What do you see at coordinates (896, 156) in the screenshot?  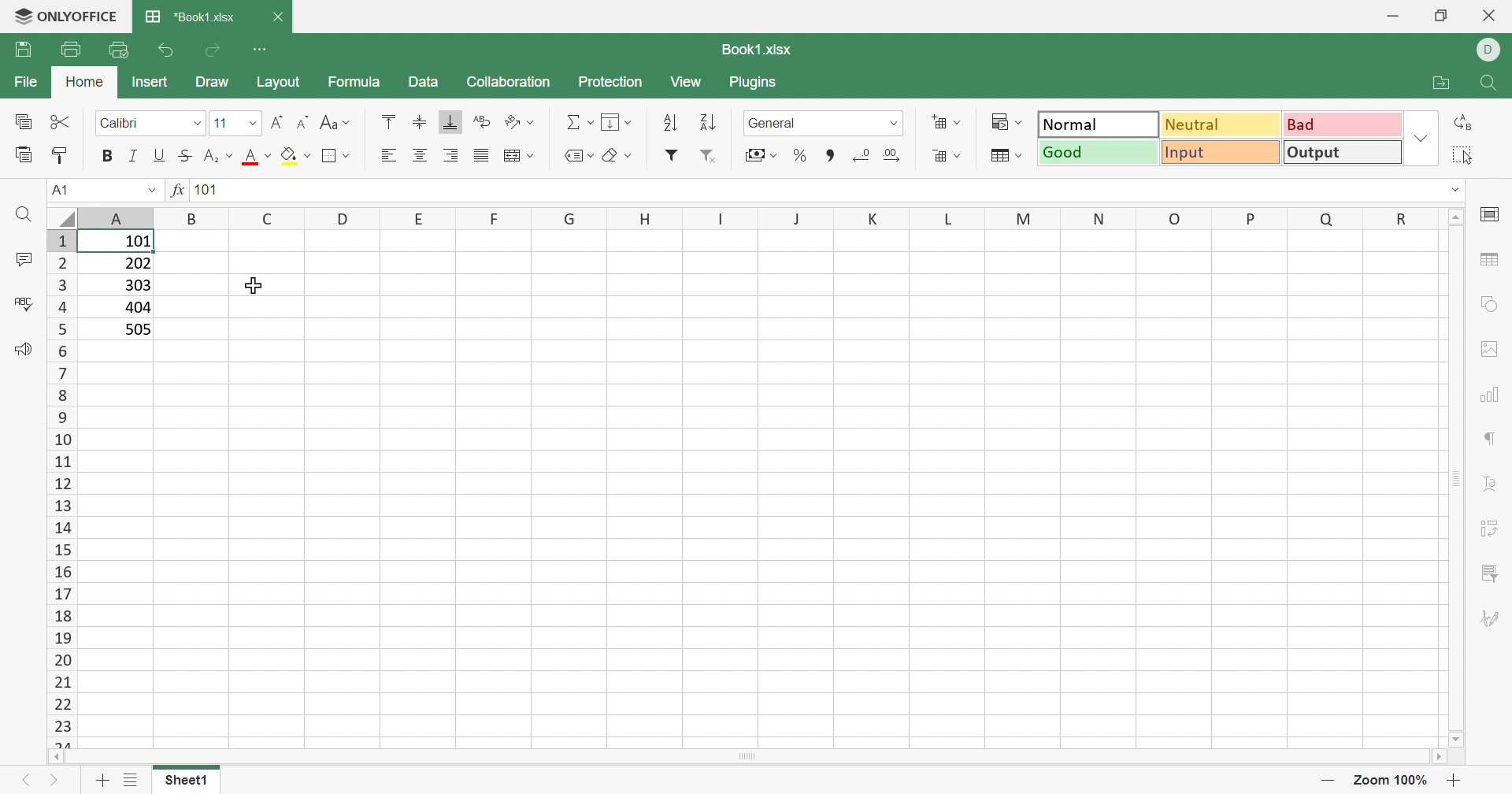 I see `Increase decimals` at bounding box center [896, 156].